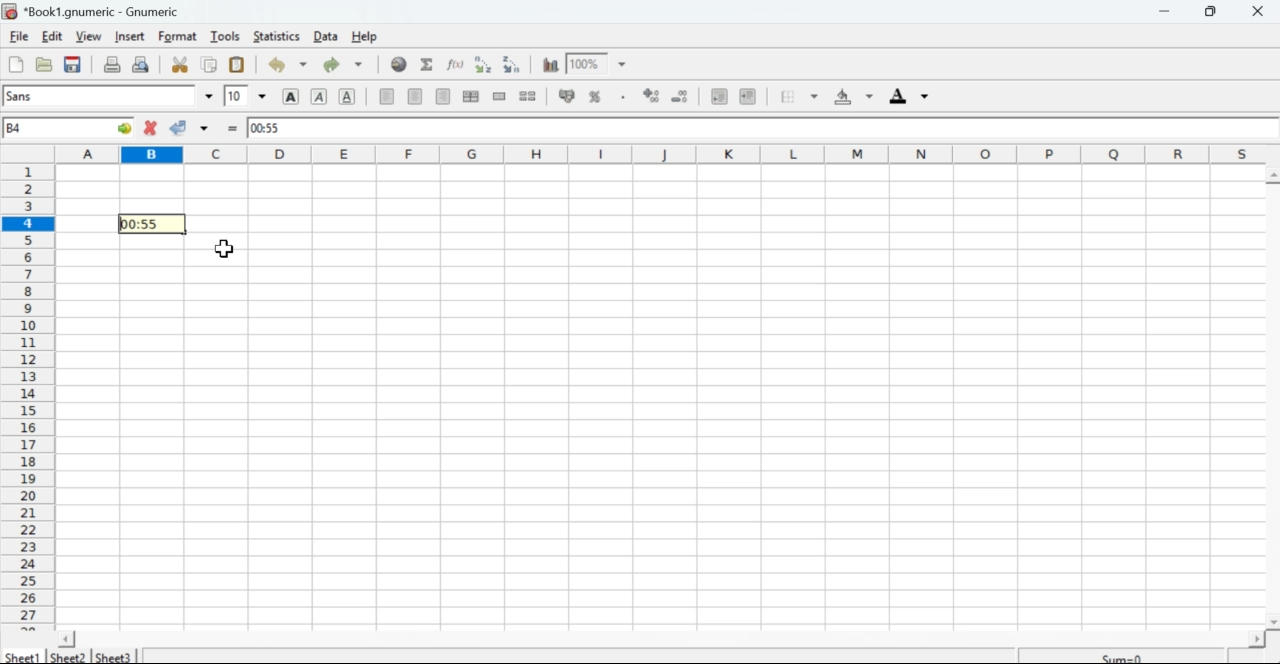 Image resolution: width=1280 pixels, height=664 pixels. Describe the element at coordinates (208, 65) in the screenshot. I see `Copy` at that location.